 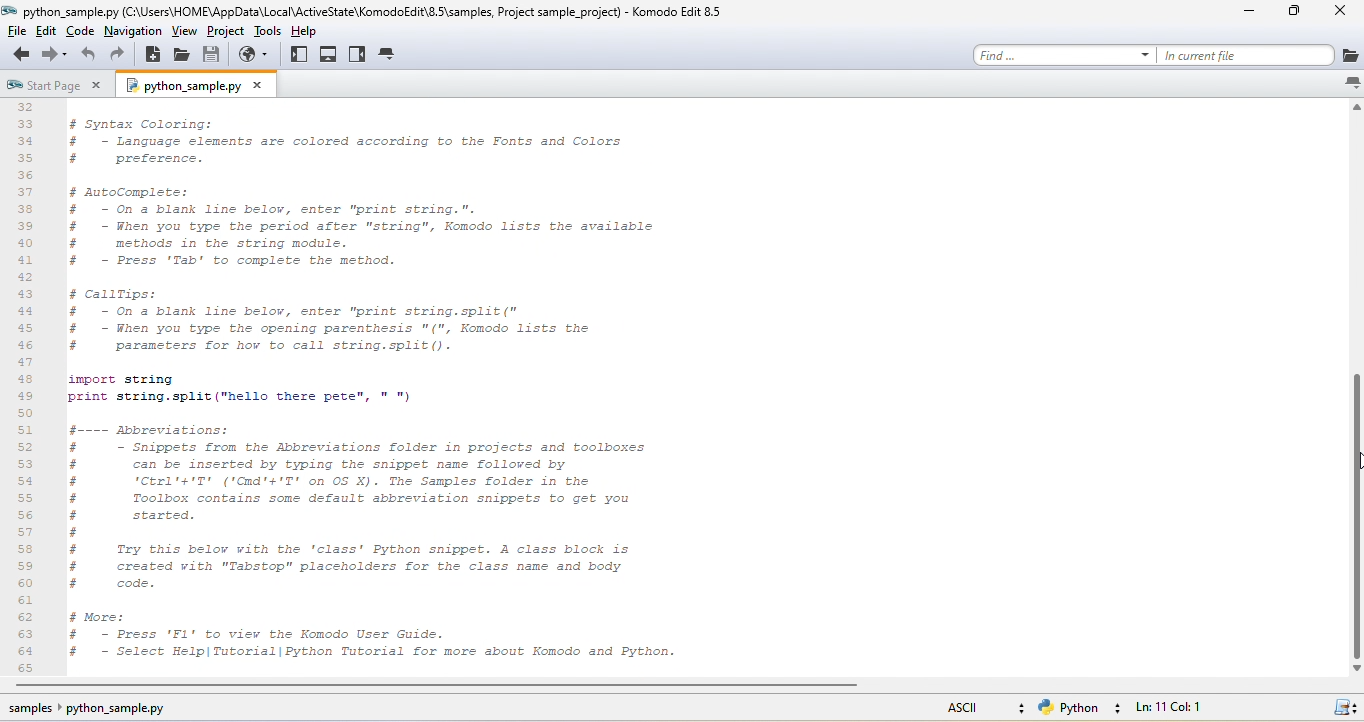 I want to click on start page, so click(x=52, y=84).